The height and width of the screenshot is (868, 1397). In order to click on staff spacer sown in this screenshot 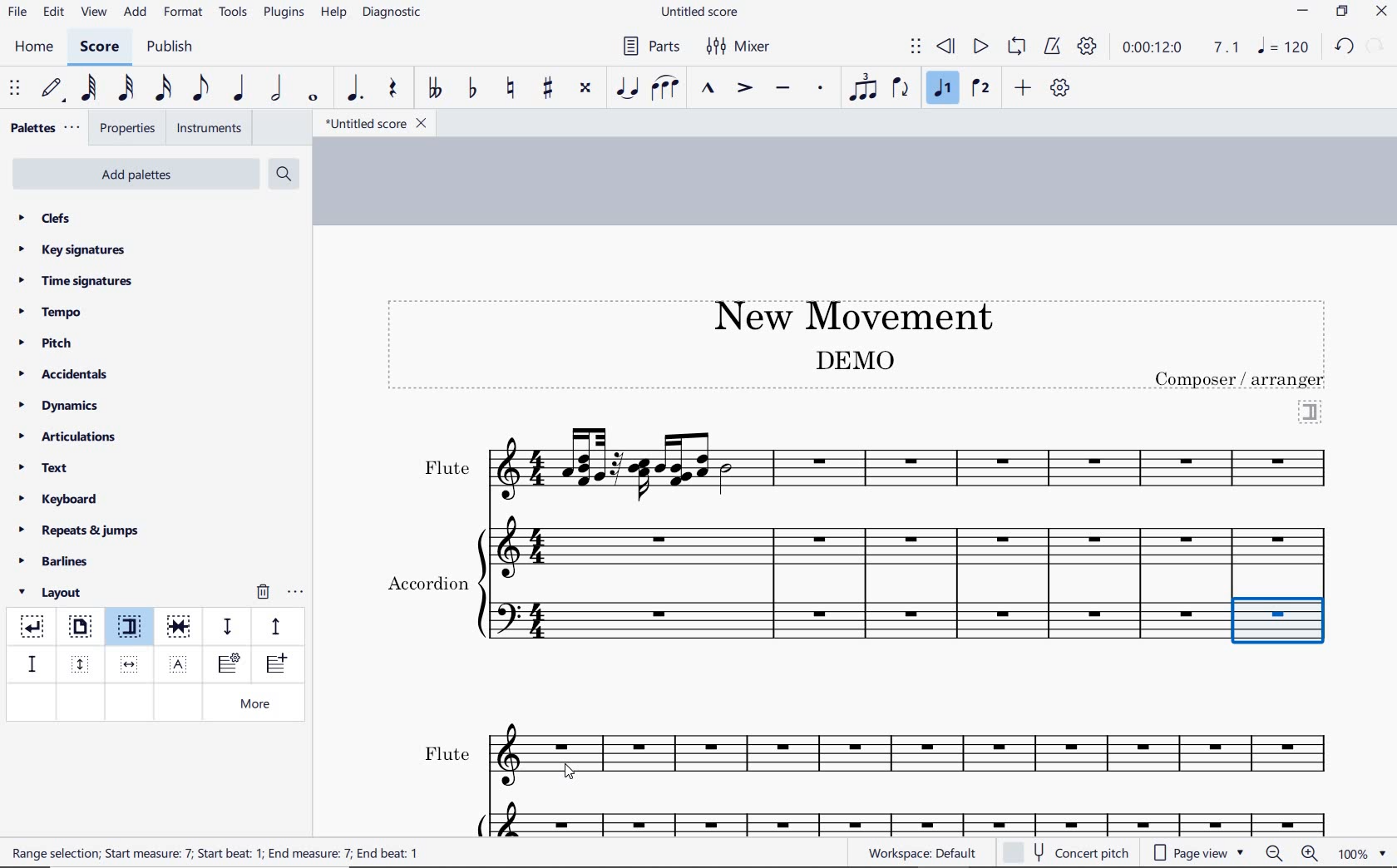, I will do `click(227, 627)`.